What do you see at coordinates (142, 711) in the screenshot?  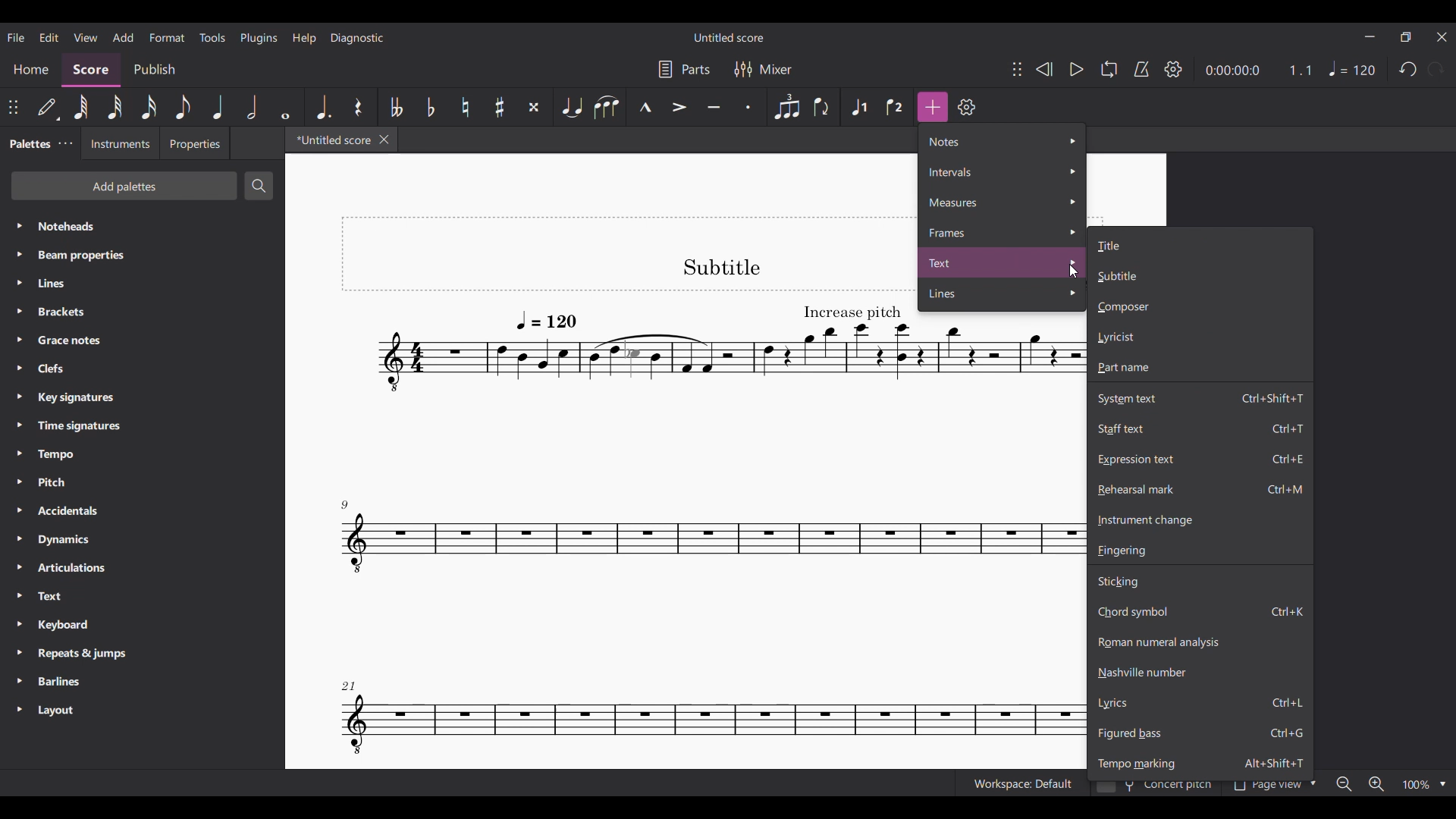 I see `Layout` at bounding box center [142, 711].